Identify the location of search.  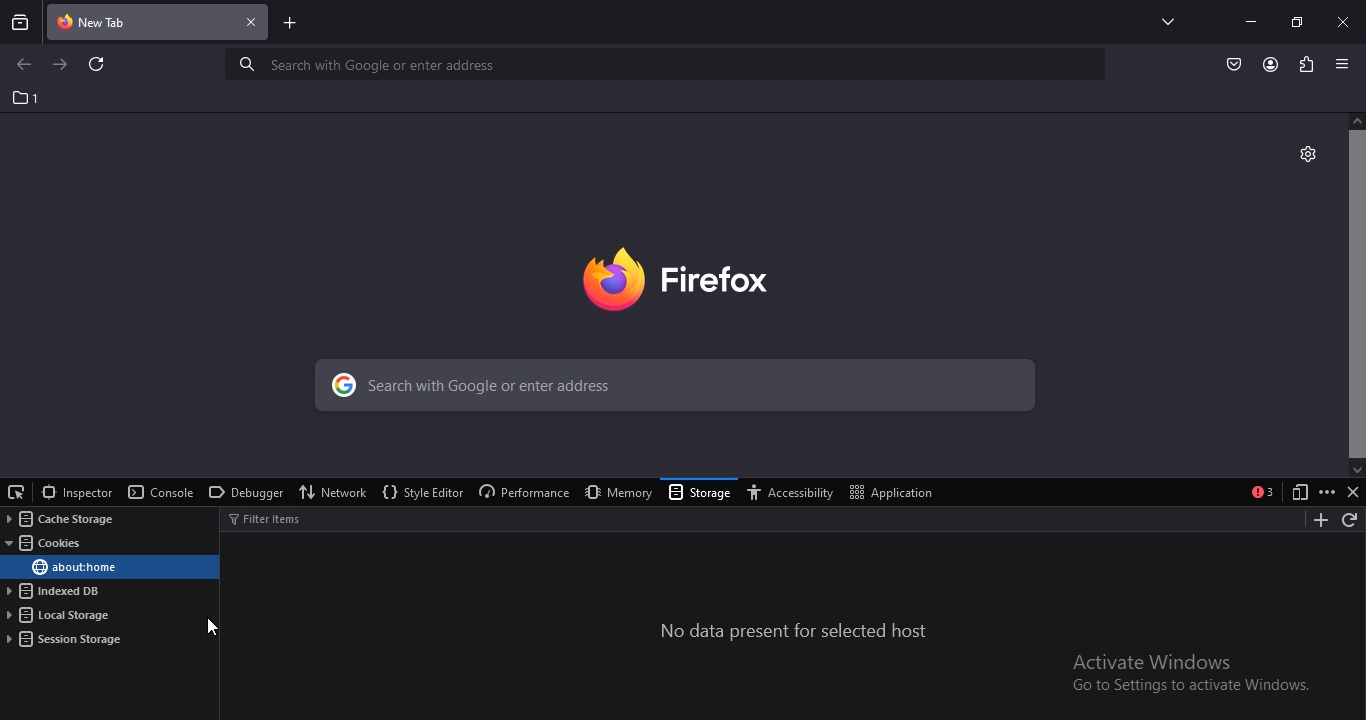
(670, 388).